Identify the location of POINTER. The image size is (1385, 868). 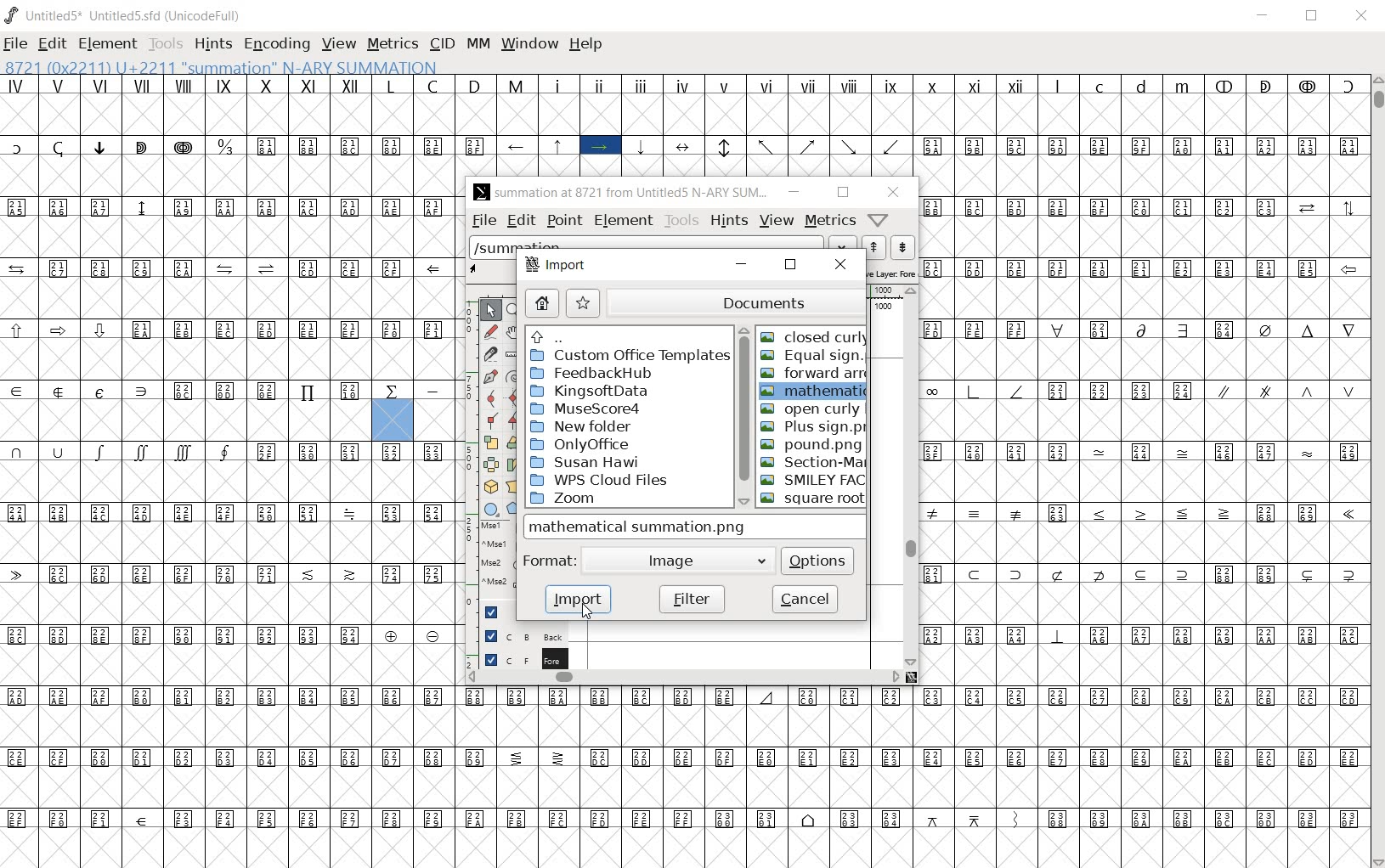
(490, 309).